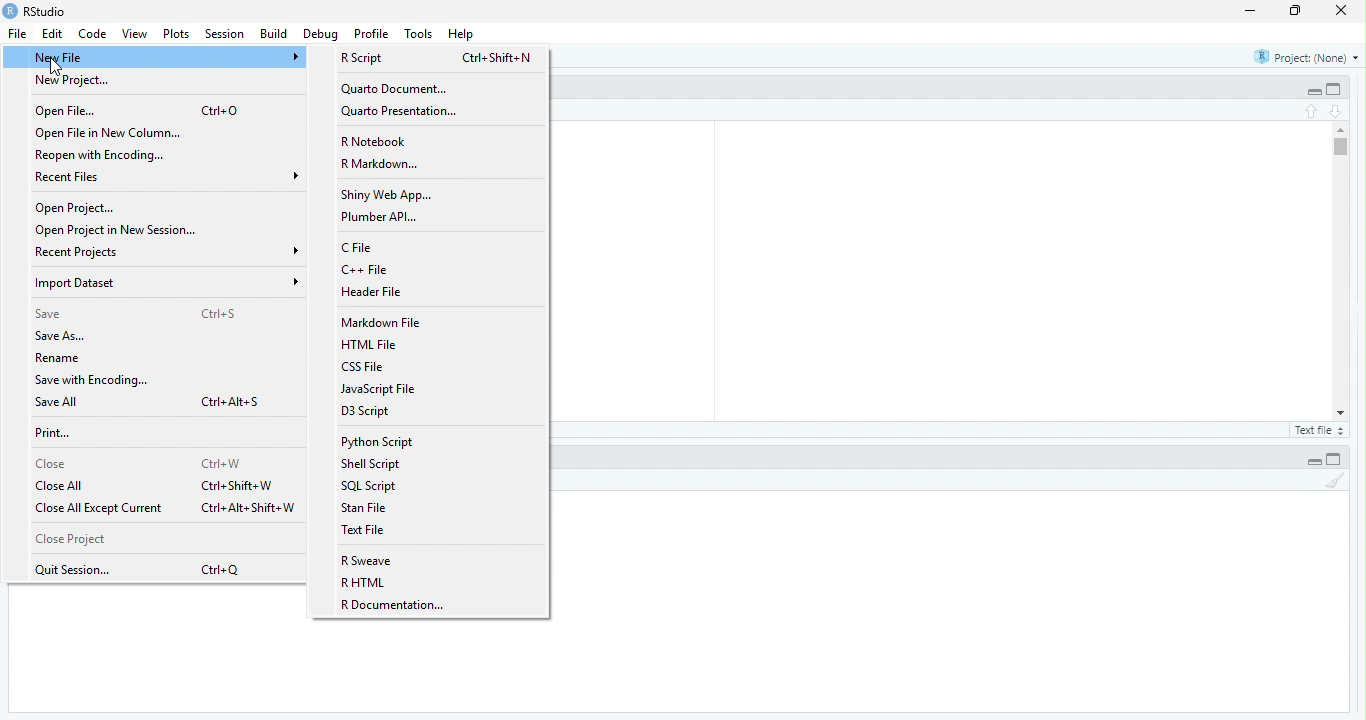 The height and width of the screenshot is (720, 1366). I want to click on Code, so click(94, 33).